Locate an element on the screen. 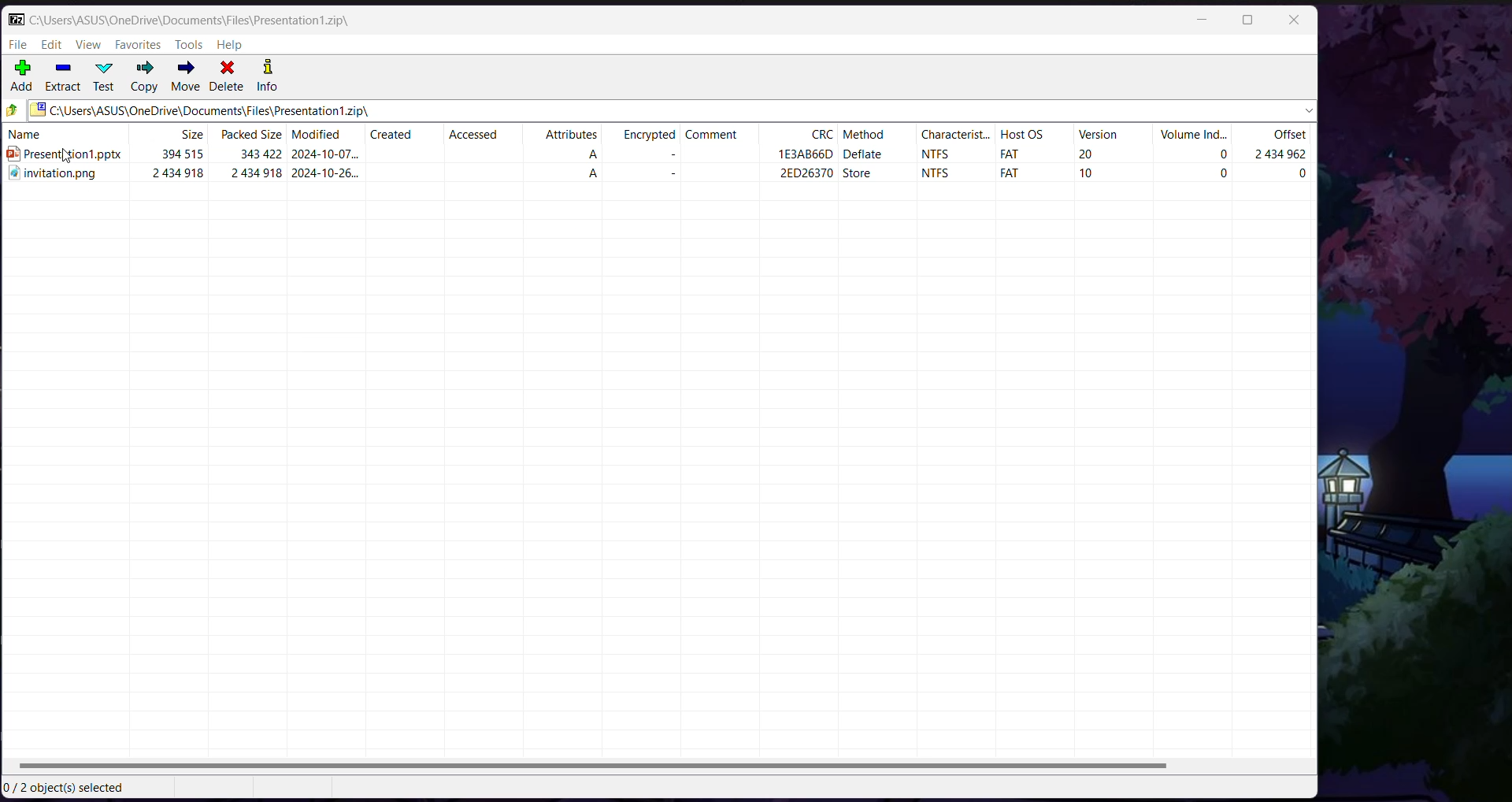 The width and height of the screenshot is (1512, 802). cursor is located at coordinates (72, 157).